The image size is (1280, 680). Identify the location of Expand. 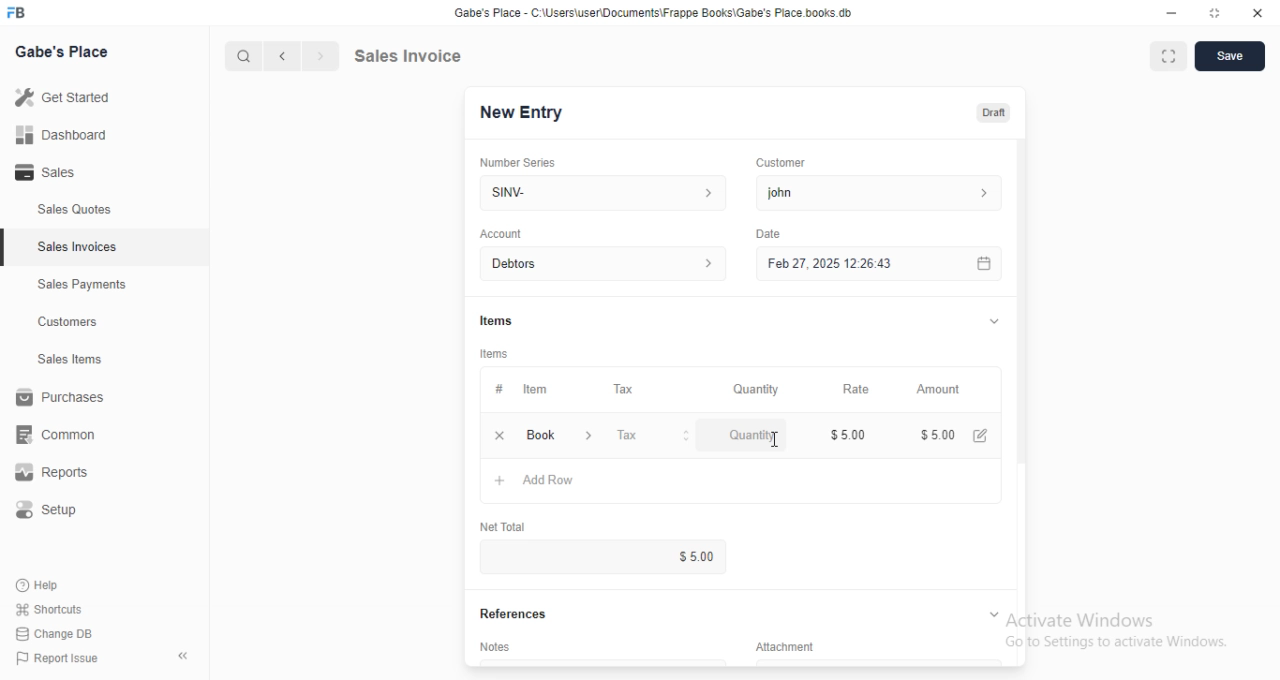
(1168, 56).